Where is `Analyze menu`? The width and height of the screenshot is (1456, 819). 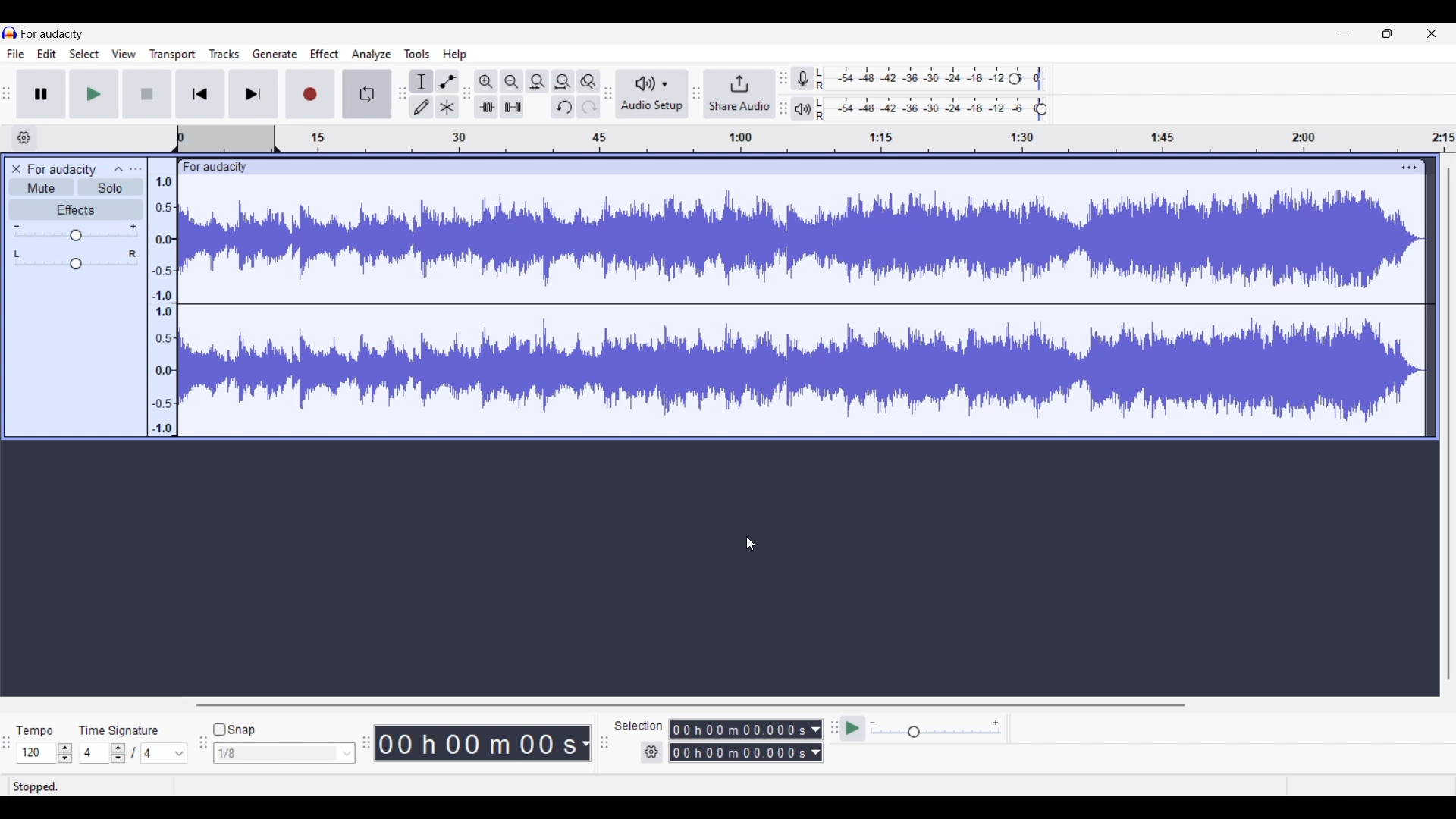 Analyze menu is located at coordinates (371, 55).